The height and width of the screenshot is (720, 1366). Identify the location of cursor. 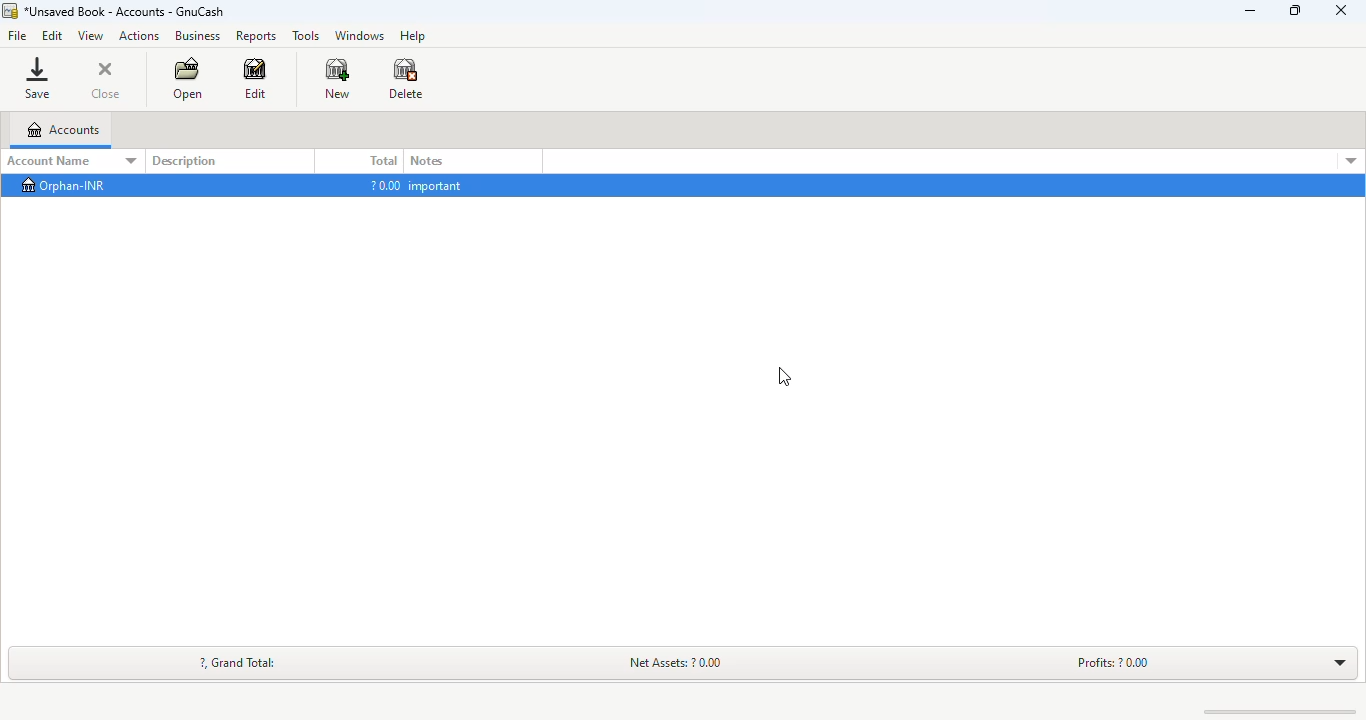
(785, 377).